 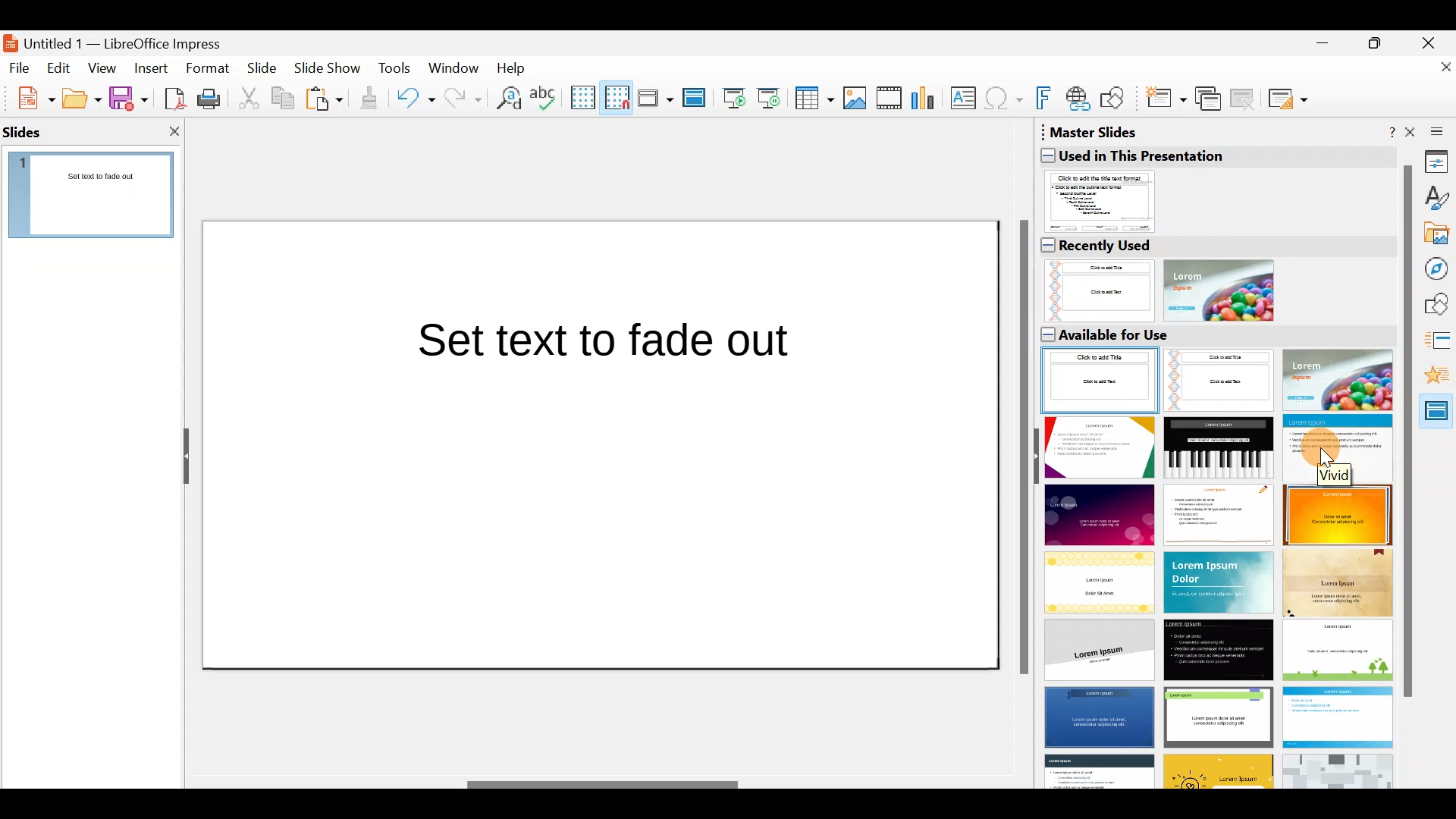 What do you see at coordinates (1210, 99) in the screenshot?
I see `Duplicate slide` at bounding box center [1210, 99].